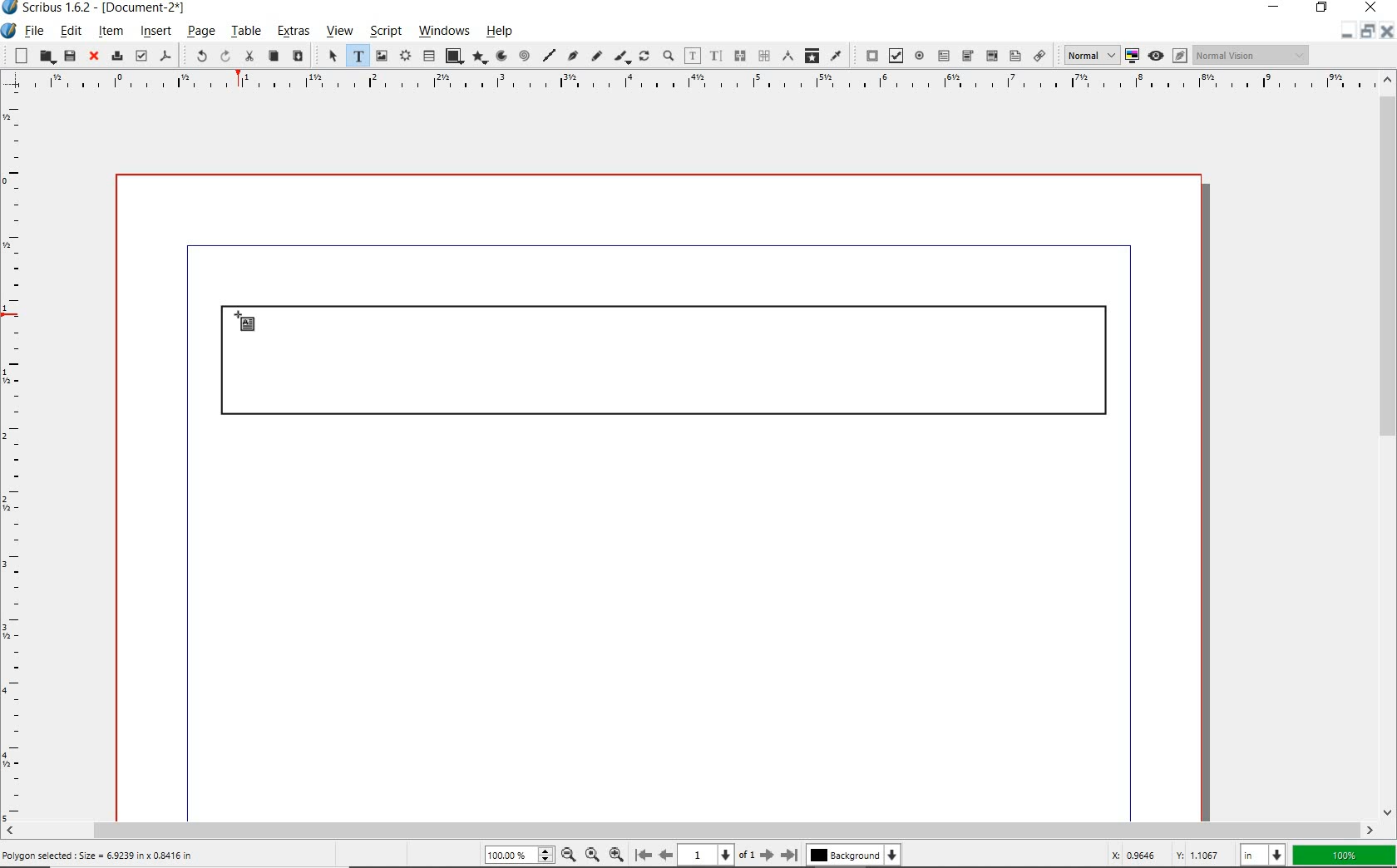  What do you see at coordinates (1166, 56) in the screenshot?
I see `preview mode` at bounding box center [1166, 56].